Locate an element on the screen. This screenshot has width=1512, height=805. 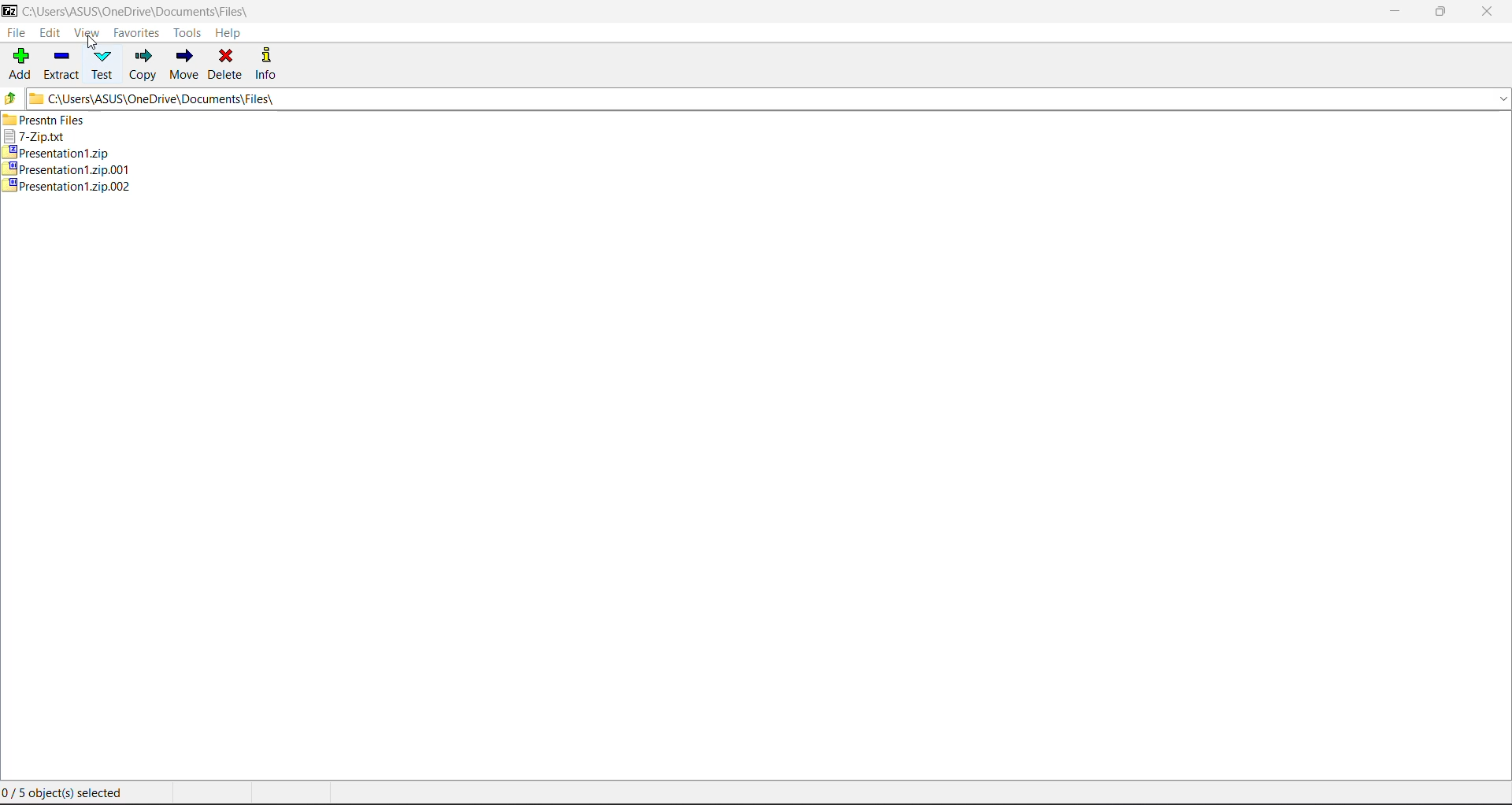
Extract is located at coordinates (62, 65).